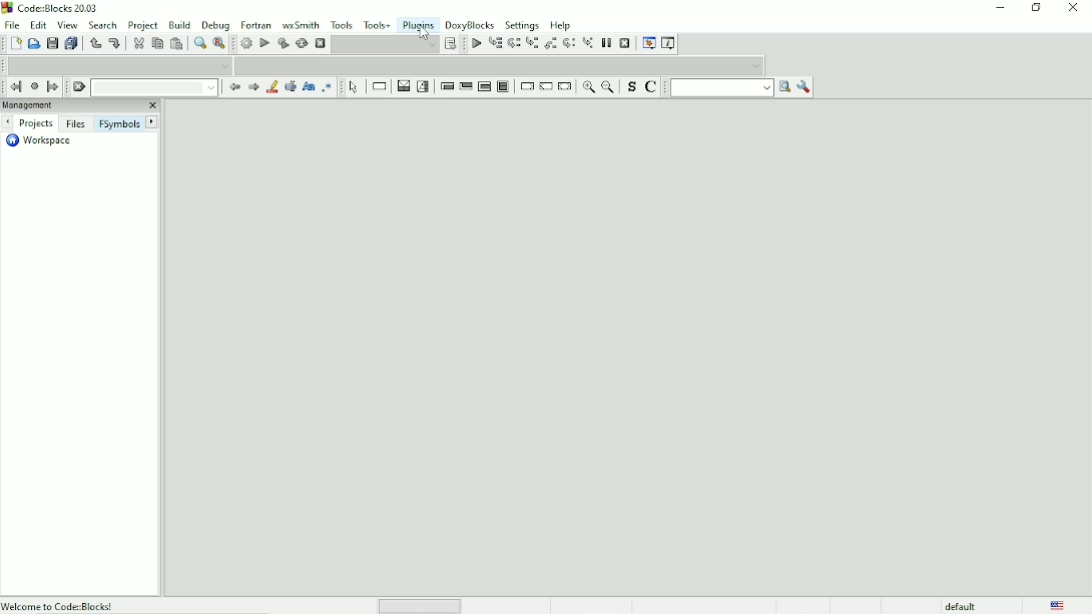 Image resolution: width=1092 pixels, height=614 pixels. I want to click on Files, so click(75, 123).